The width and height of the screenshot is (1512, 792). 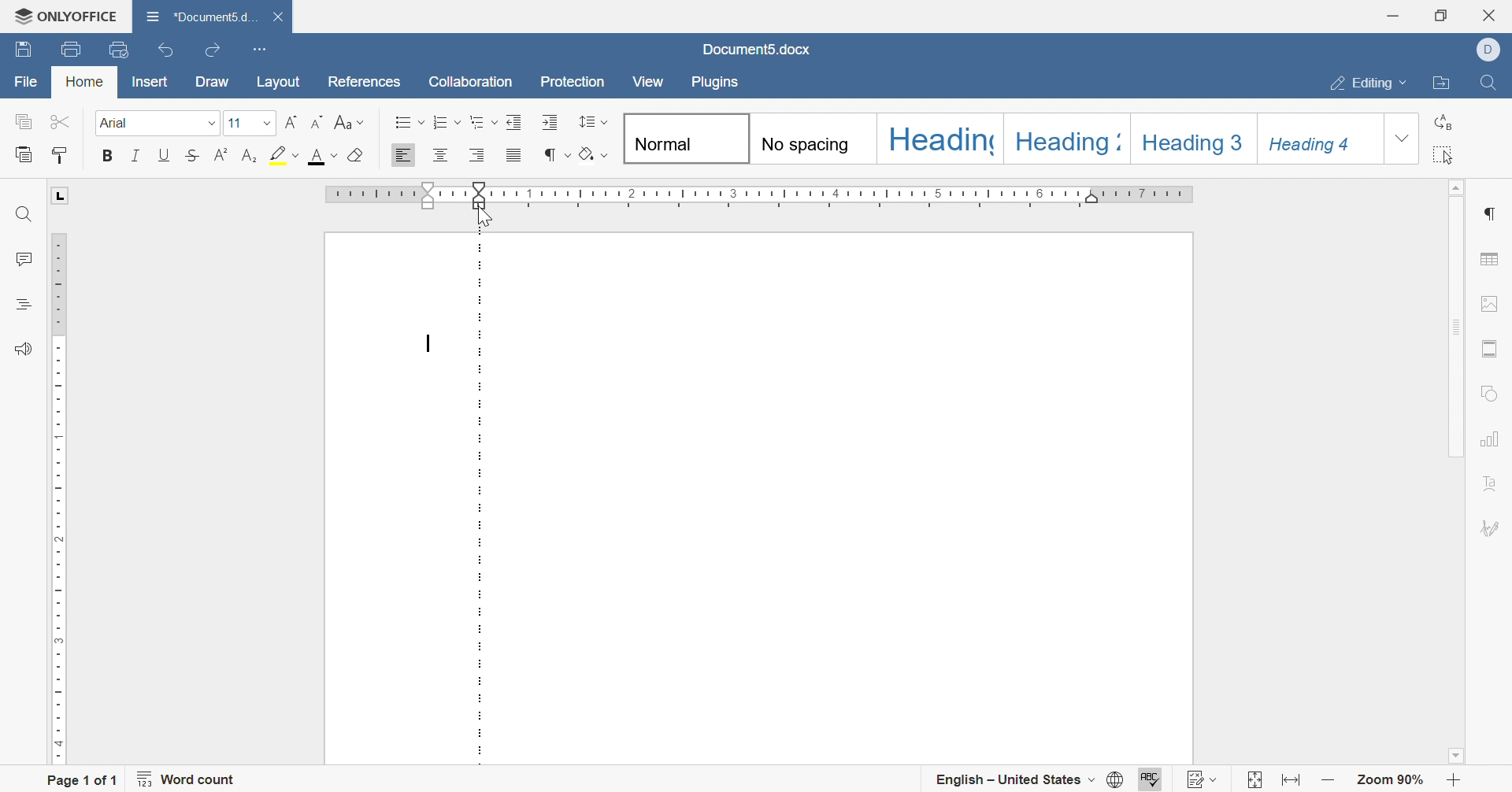 I want to click on shape settings, so click(x=1494, y=392).